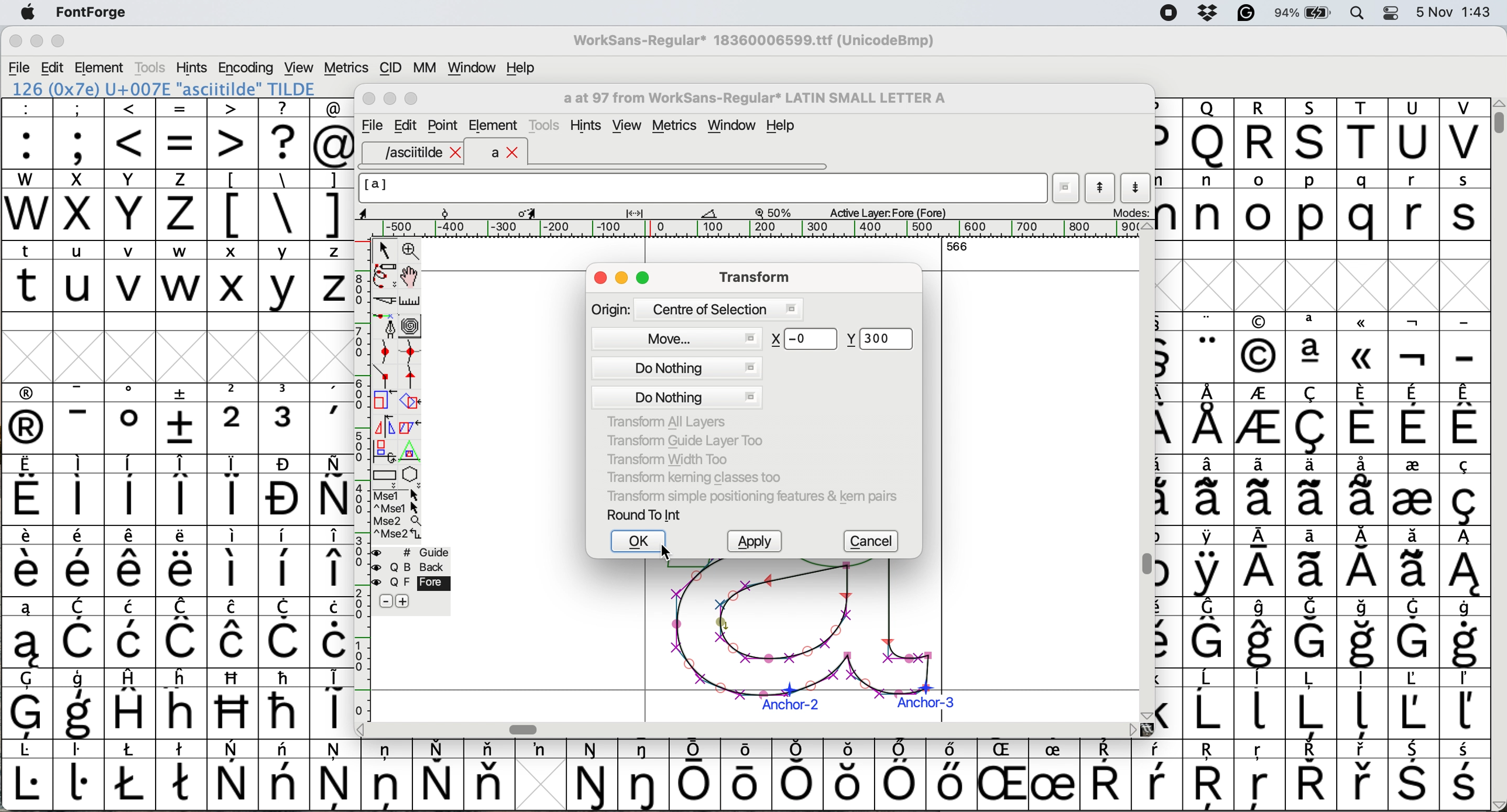  What do you see at coordinates (1245, 15) in the screenshot?
I see `grammarly` at bounding box center [1245, 15].